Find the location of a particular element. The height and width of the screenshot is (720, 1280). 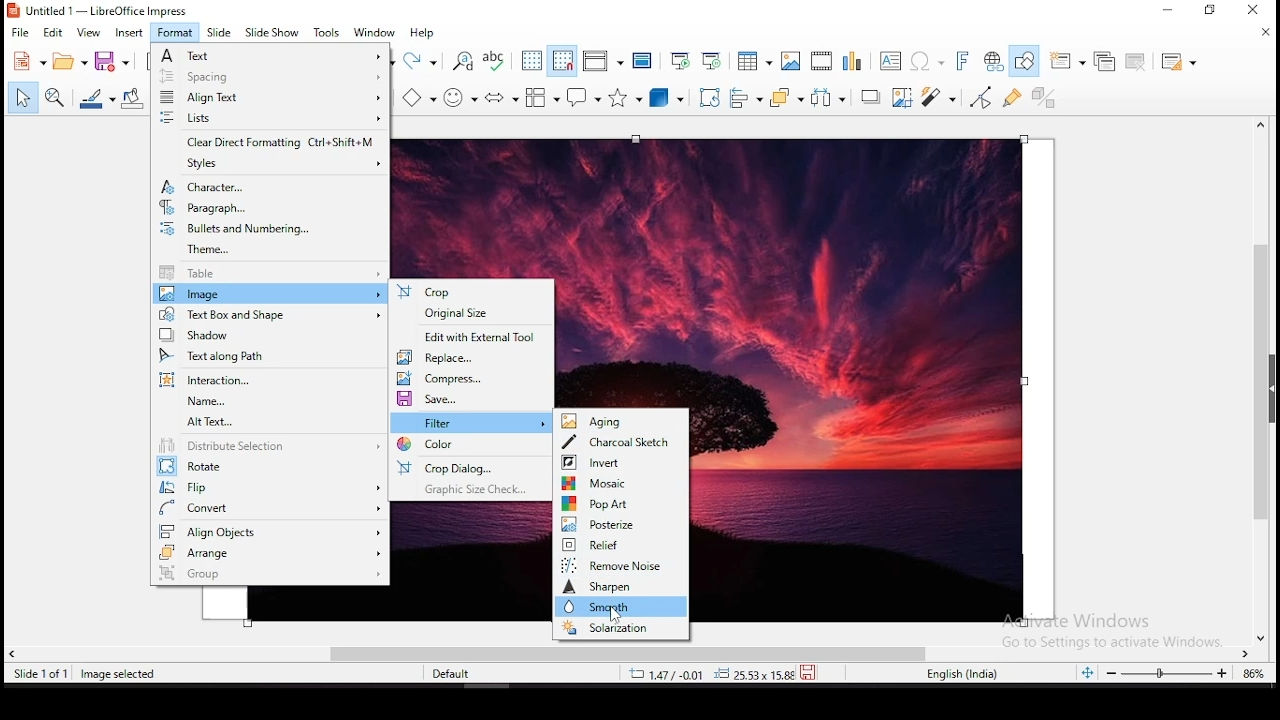

text along path is located at coordinates (268, 356).